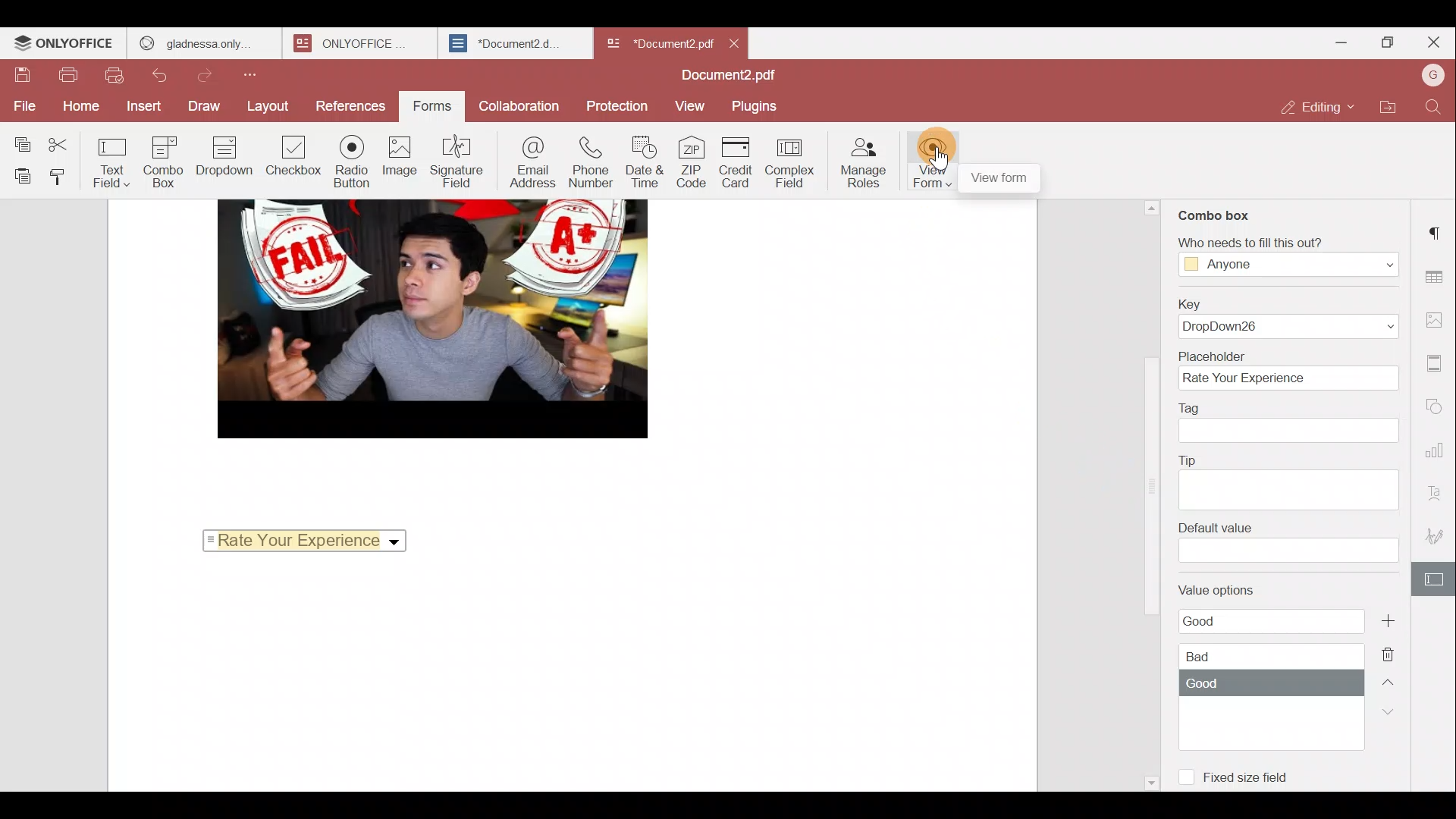  What do you see at coordinates (64, 45) in the screenshot?
I see `ONLYOFFICE` at bounding box center [64, 45].